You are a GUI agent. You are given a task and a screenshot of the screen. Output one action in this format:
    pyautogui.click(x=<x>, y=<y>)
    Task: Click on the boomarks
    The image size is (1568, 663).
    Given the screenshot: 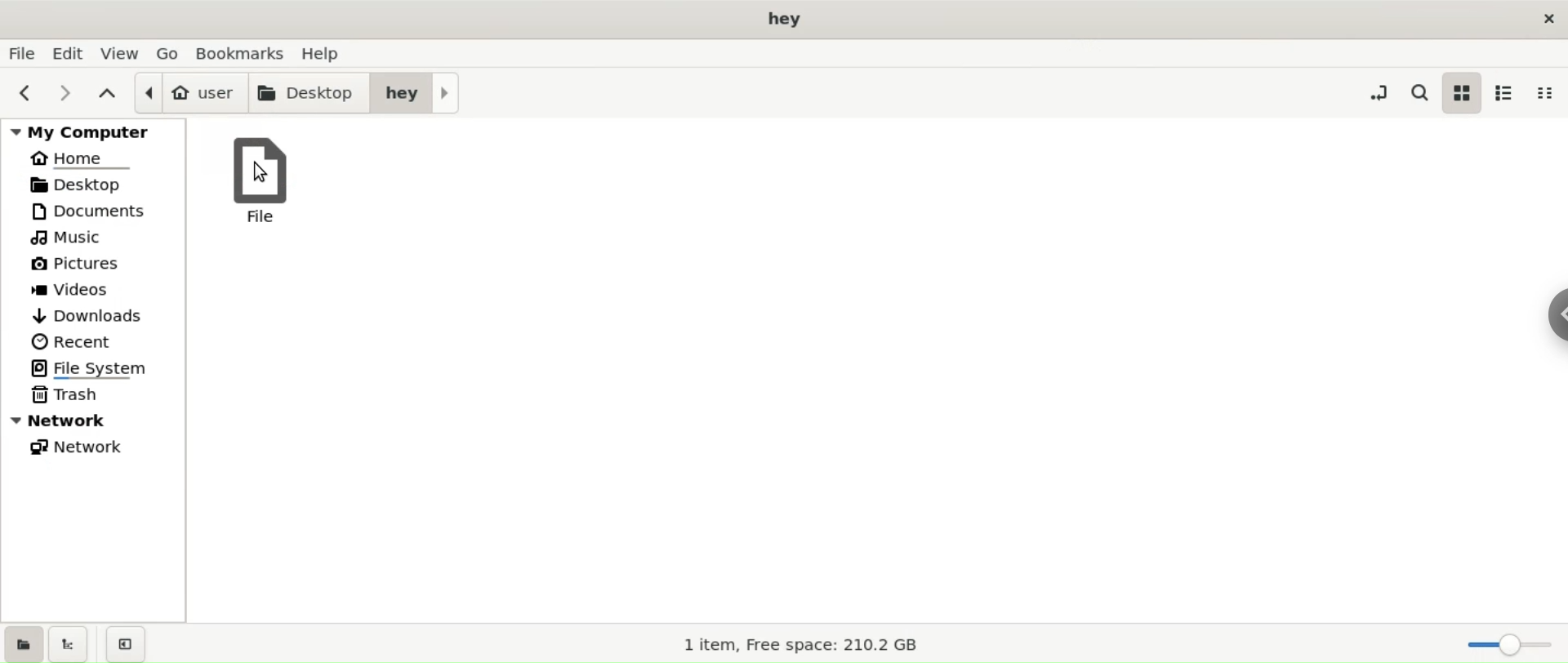 What is the action you would take?
    pyautogui.click(x=246, y=53)
    